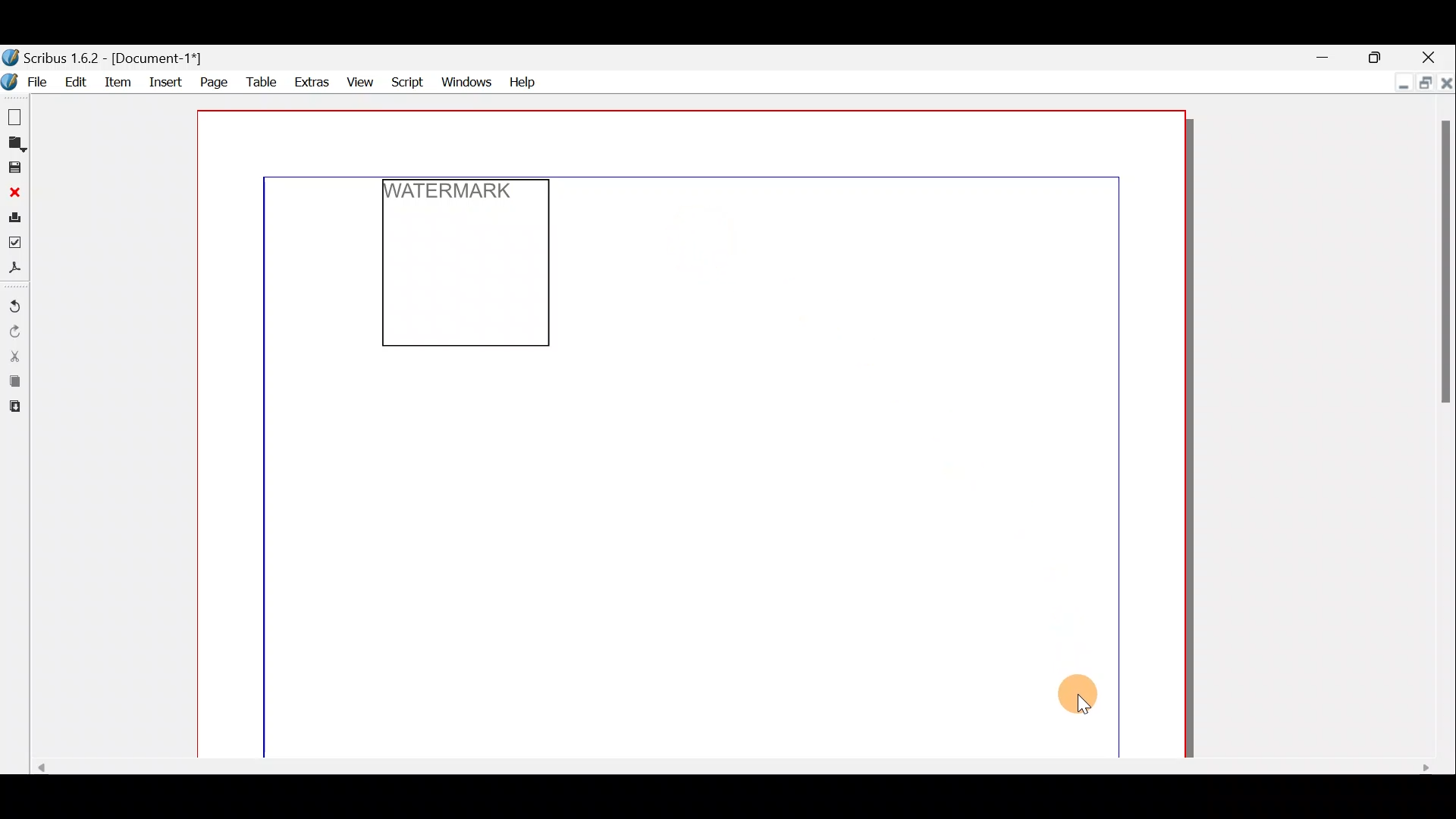 Image resolution: width=1456 pixels, height=819 pixels. Describe the element at coordinates (310, 83) in the screenshot. I see `Extras` at that location.